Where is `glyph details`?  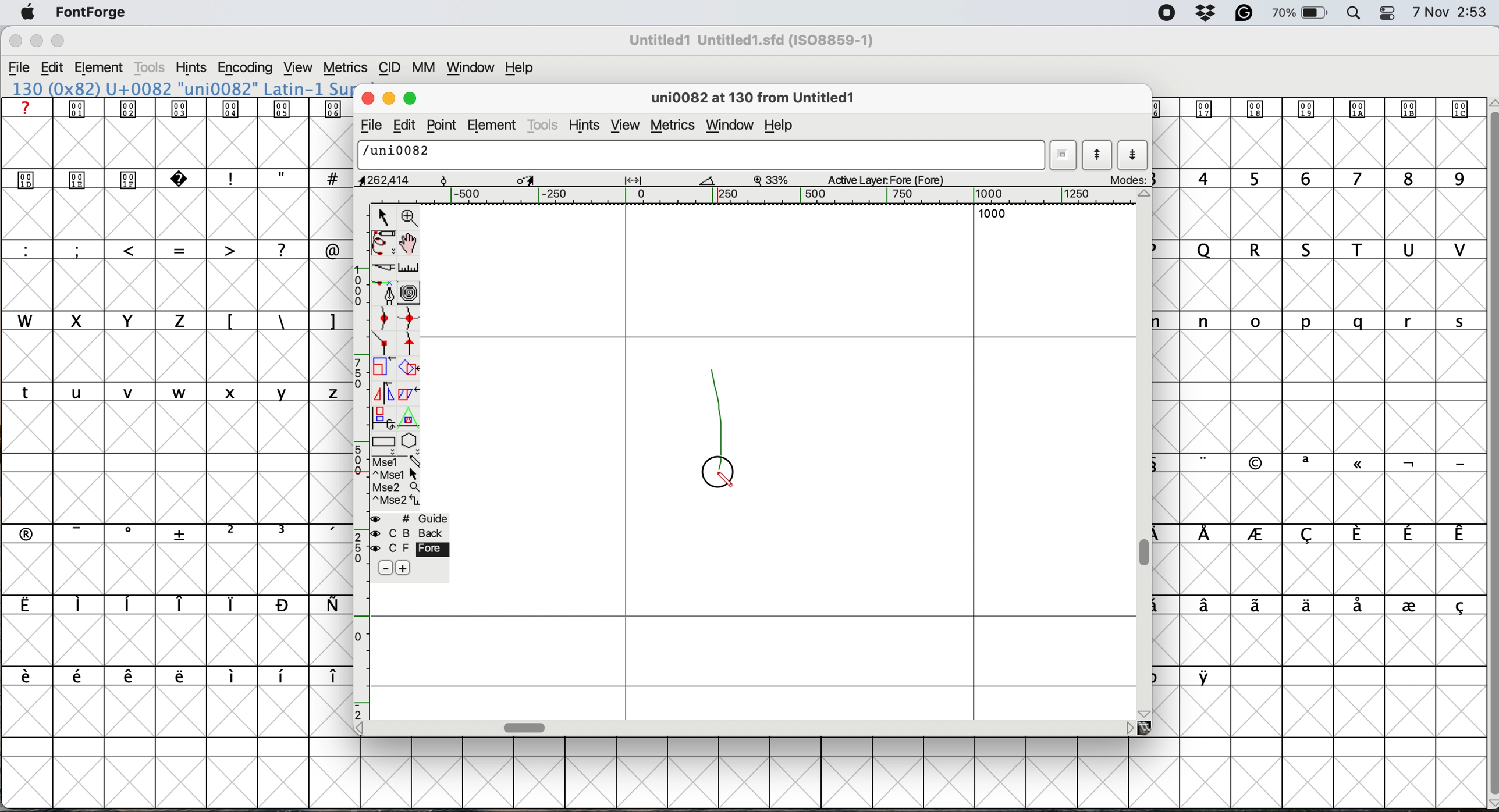
glyph details is located at coordinates (759, 99).